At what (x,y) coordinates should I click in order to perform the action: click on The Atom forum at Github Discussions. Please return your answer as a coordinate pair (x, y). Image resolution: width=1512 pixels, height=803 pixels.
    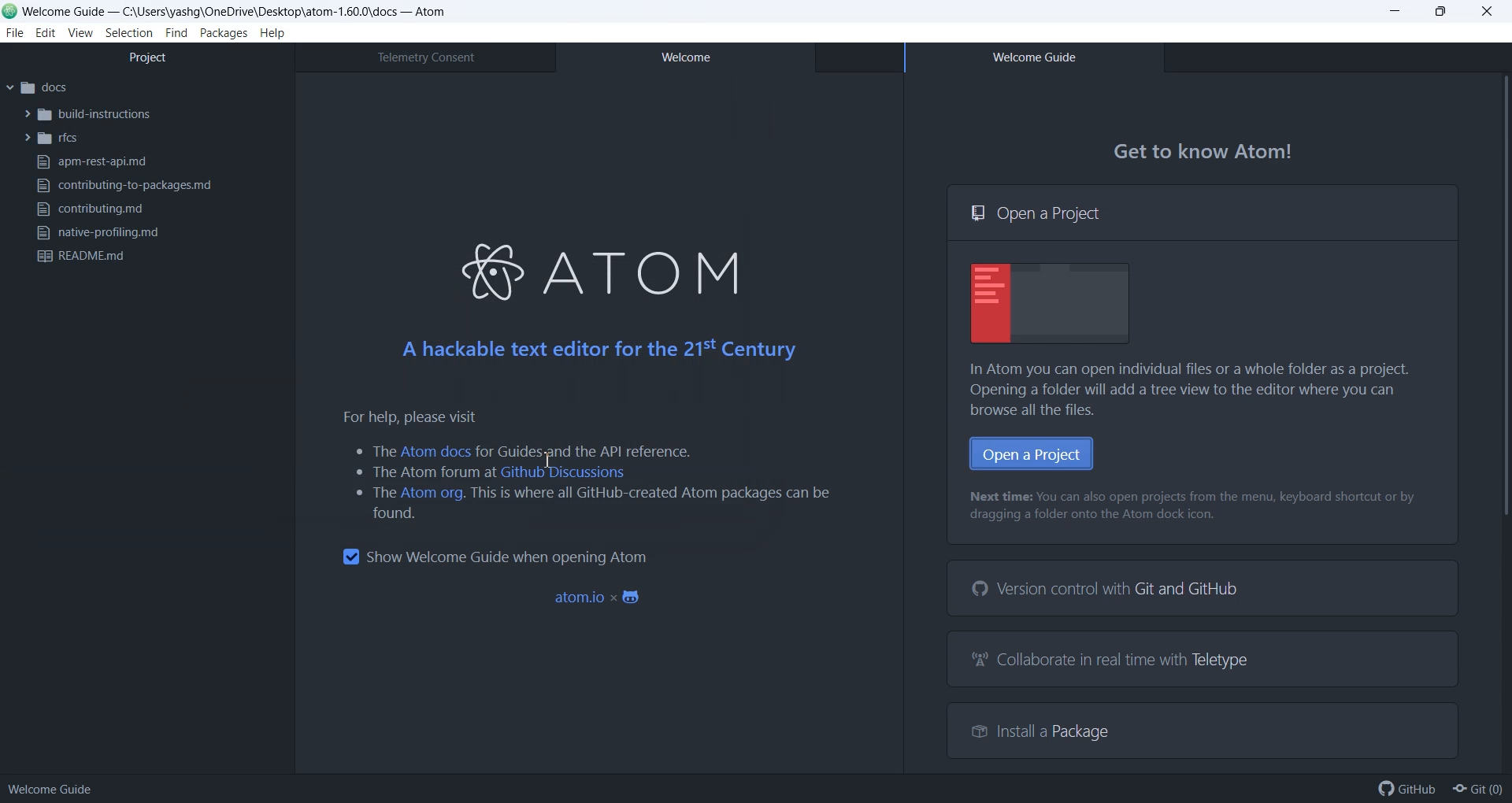
    Looking at the image, I should click on (492, 472).